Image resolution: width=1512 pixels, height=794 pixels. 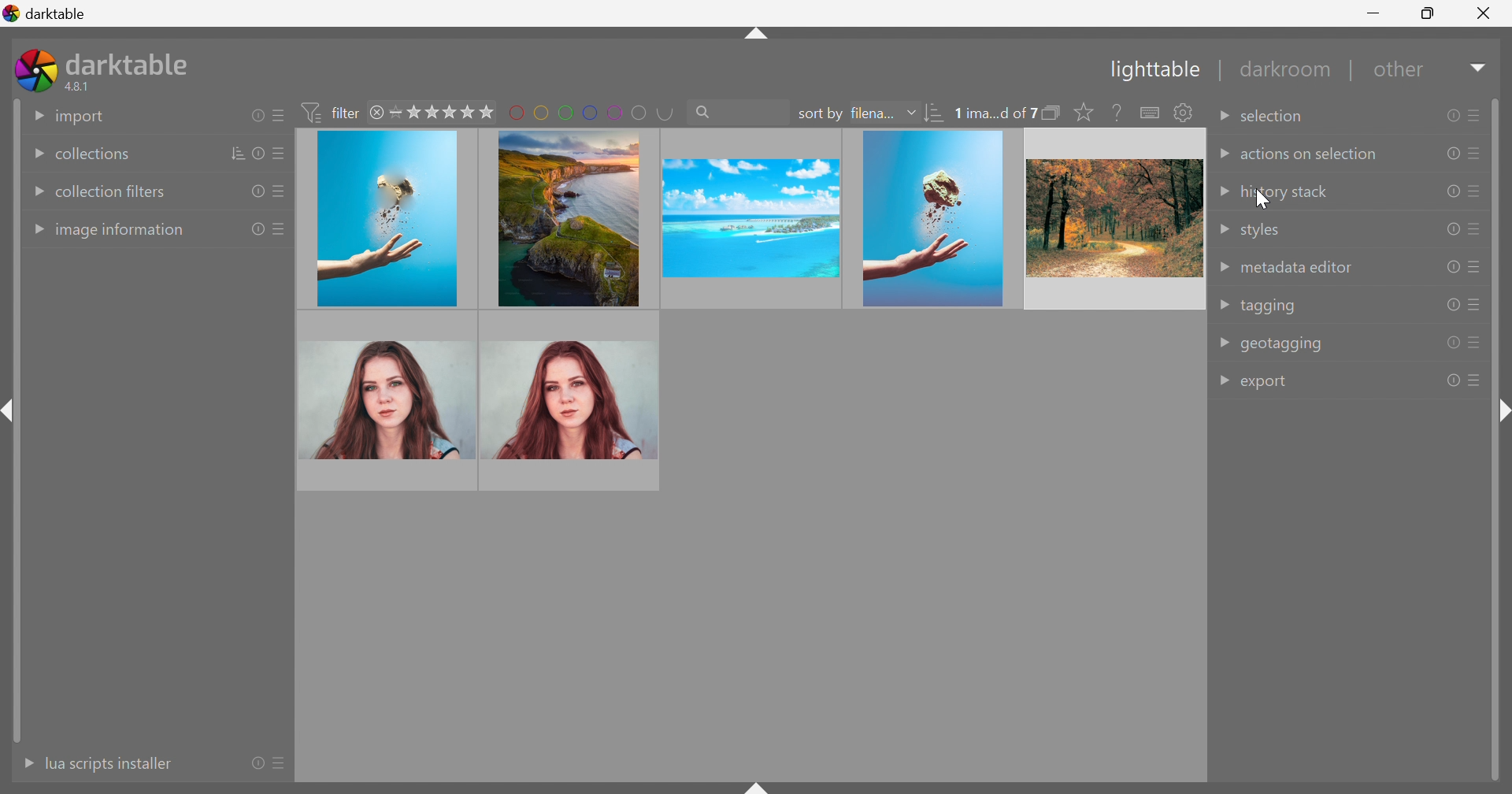 What do you see at coordinates (1377, 12) in the screenshot?
I see `Minimize` at bounding box center [1377, 12].